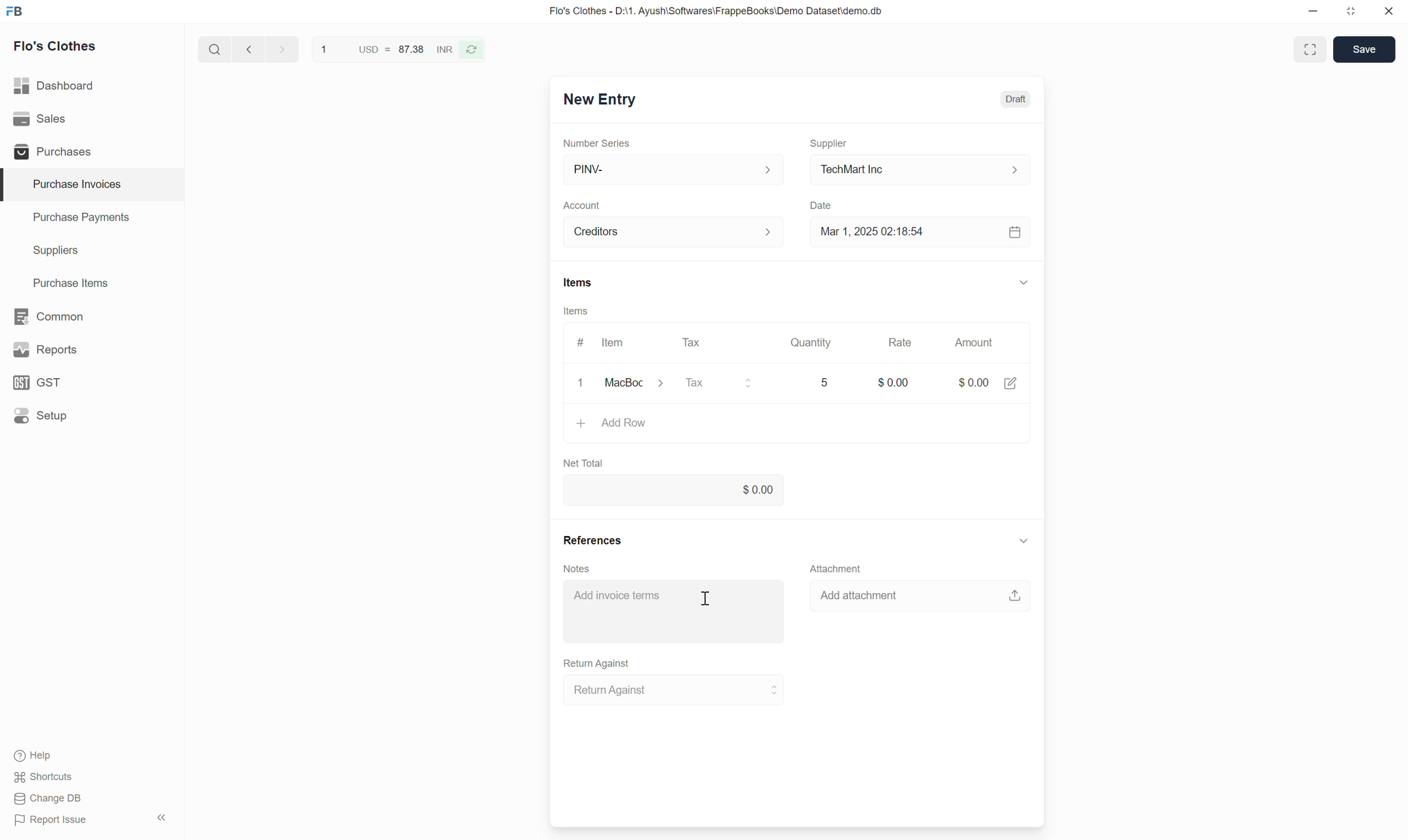 The width and height of the screenshot is (1408, 840). I want to click on Account, so click(581, 206).